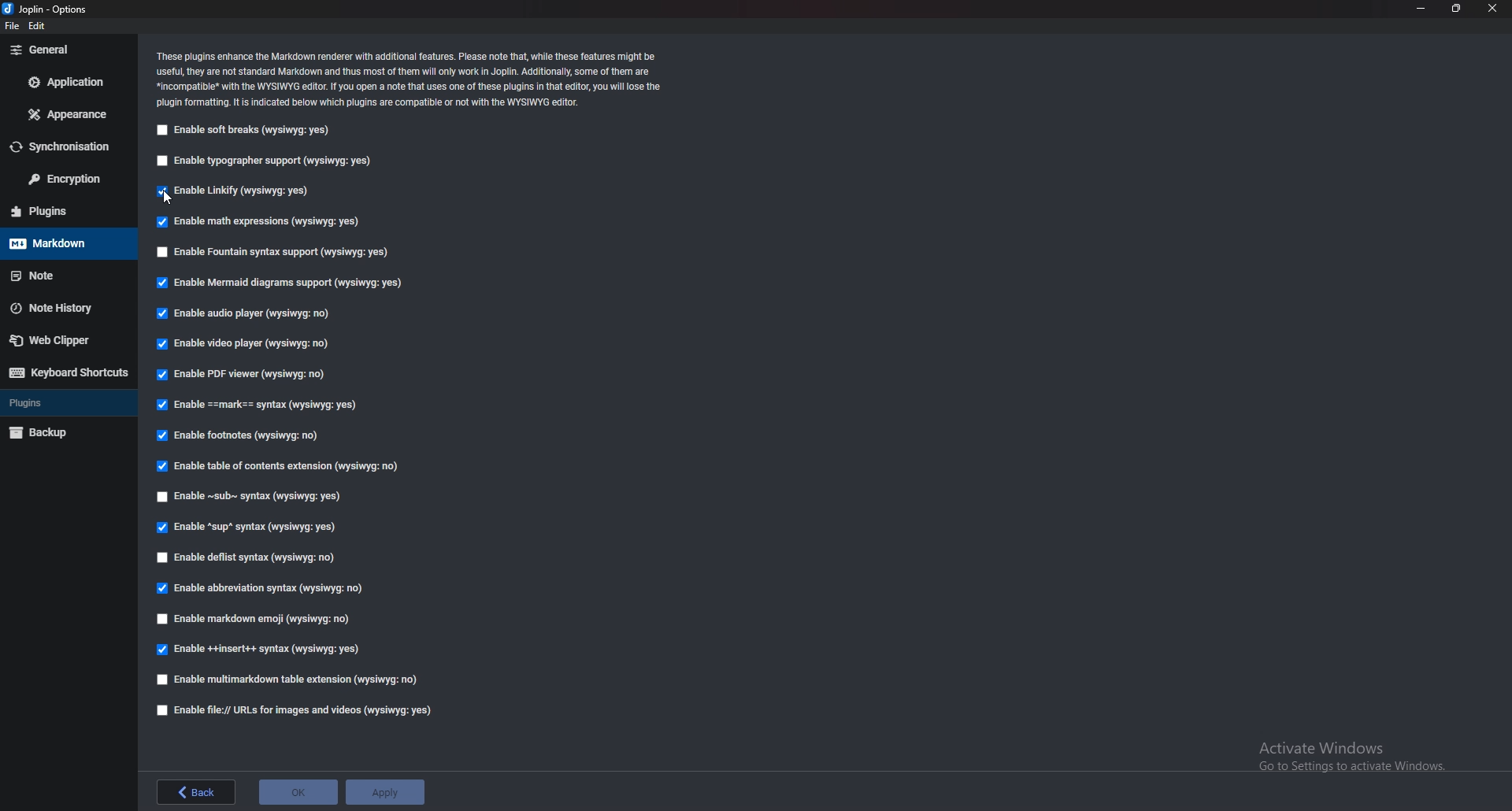  Describe the element at coordinates (283, 284) in the screenshot. I see `Enable mermaid diagrams` at that location.